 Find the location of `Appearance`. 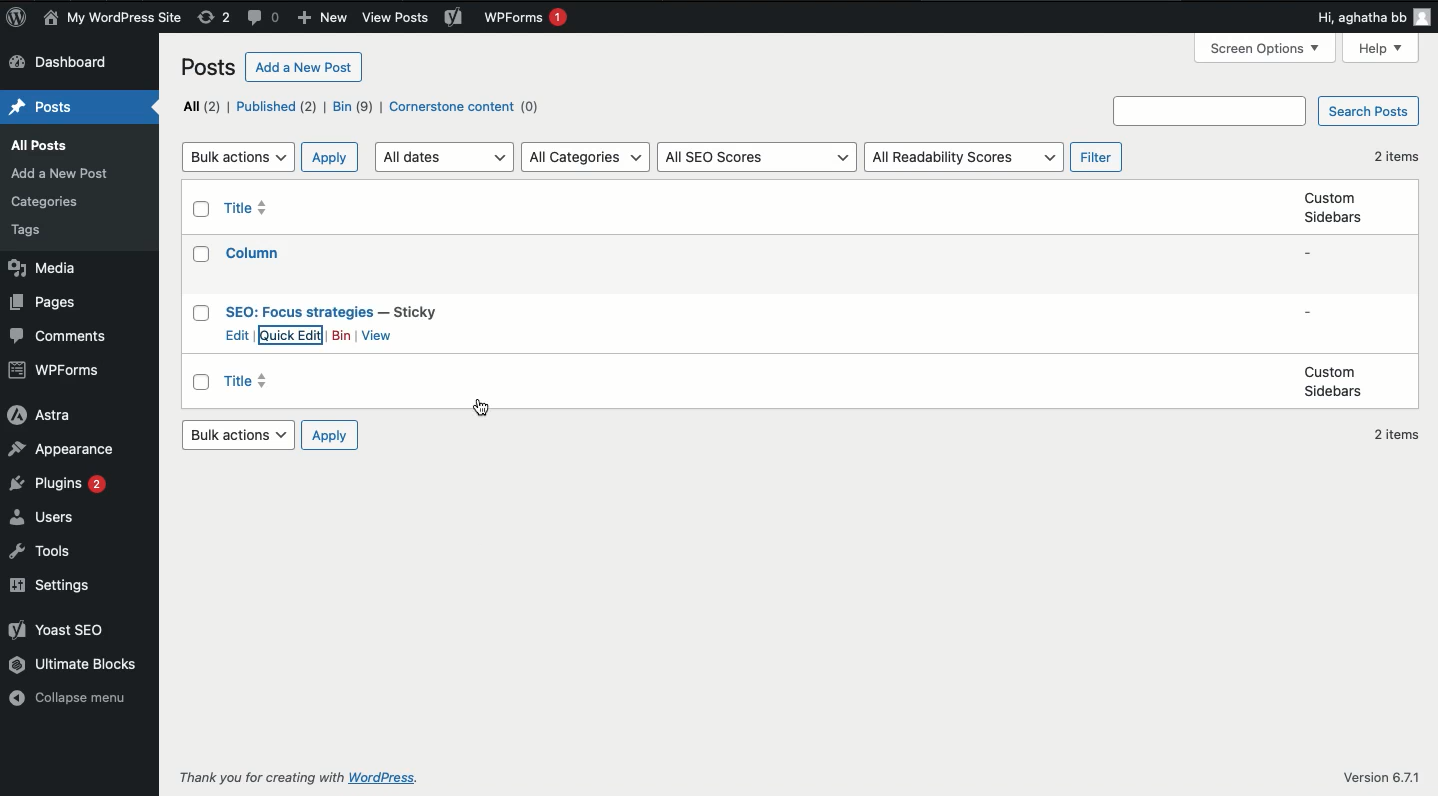

Appearance is located at coordinates (61, 450).